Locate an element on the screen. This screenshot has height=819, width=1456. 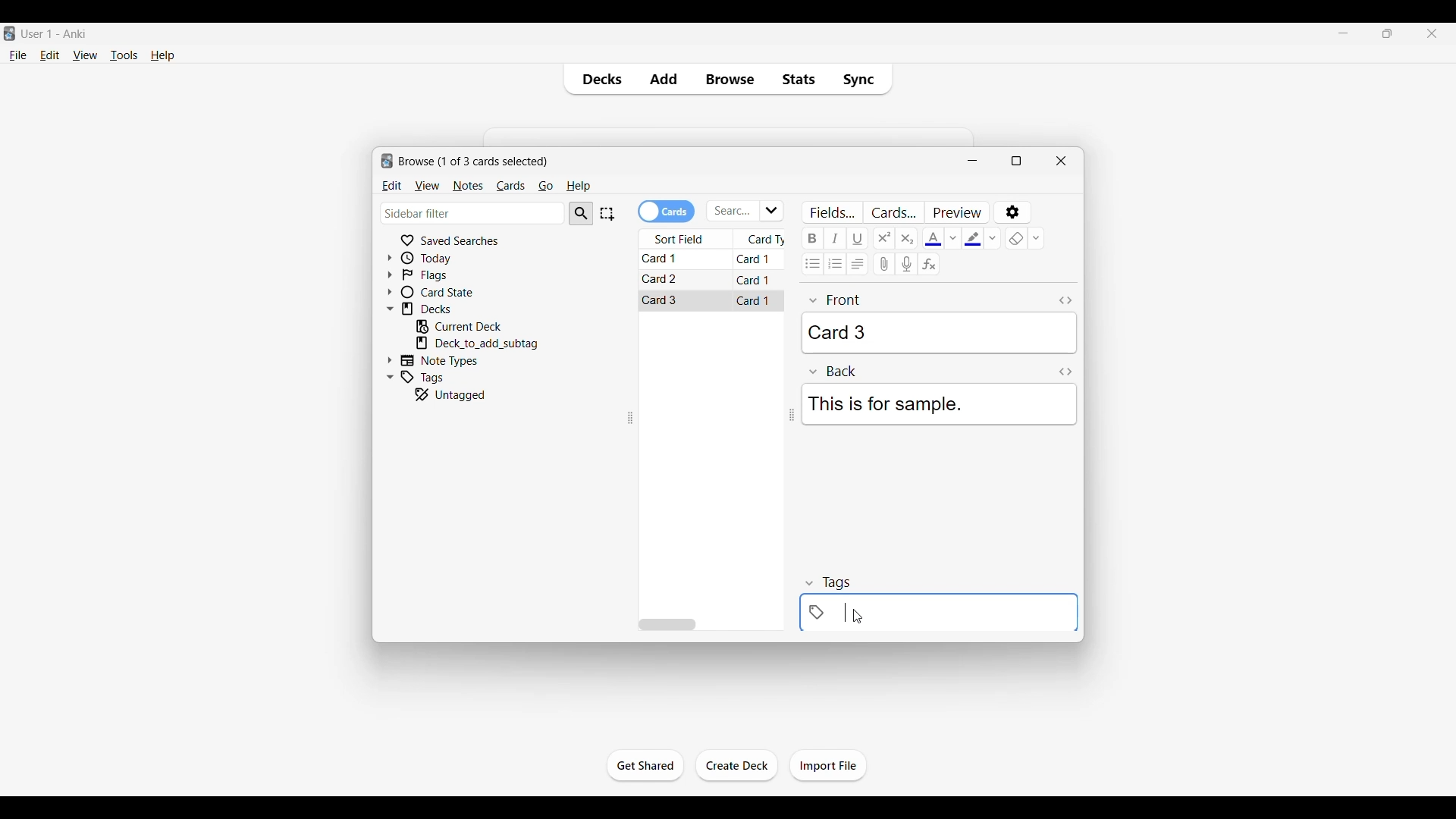
Superscript is located at coordinates (883, 238).